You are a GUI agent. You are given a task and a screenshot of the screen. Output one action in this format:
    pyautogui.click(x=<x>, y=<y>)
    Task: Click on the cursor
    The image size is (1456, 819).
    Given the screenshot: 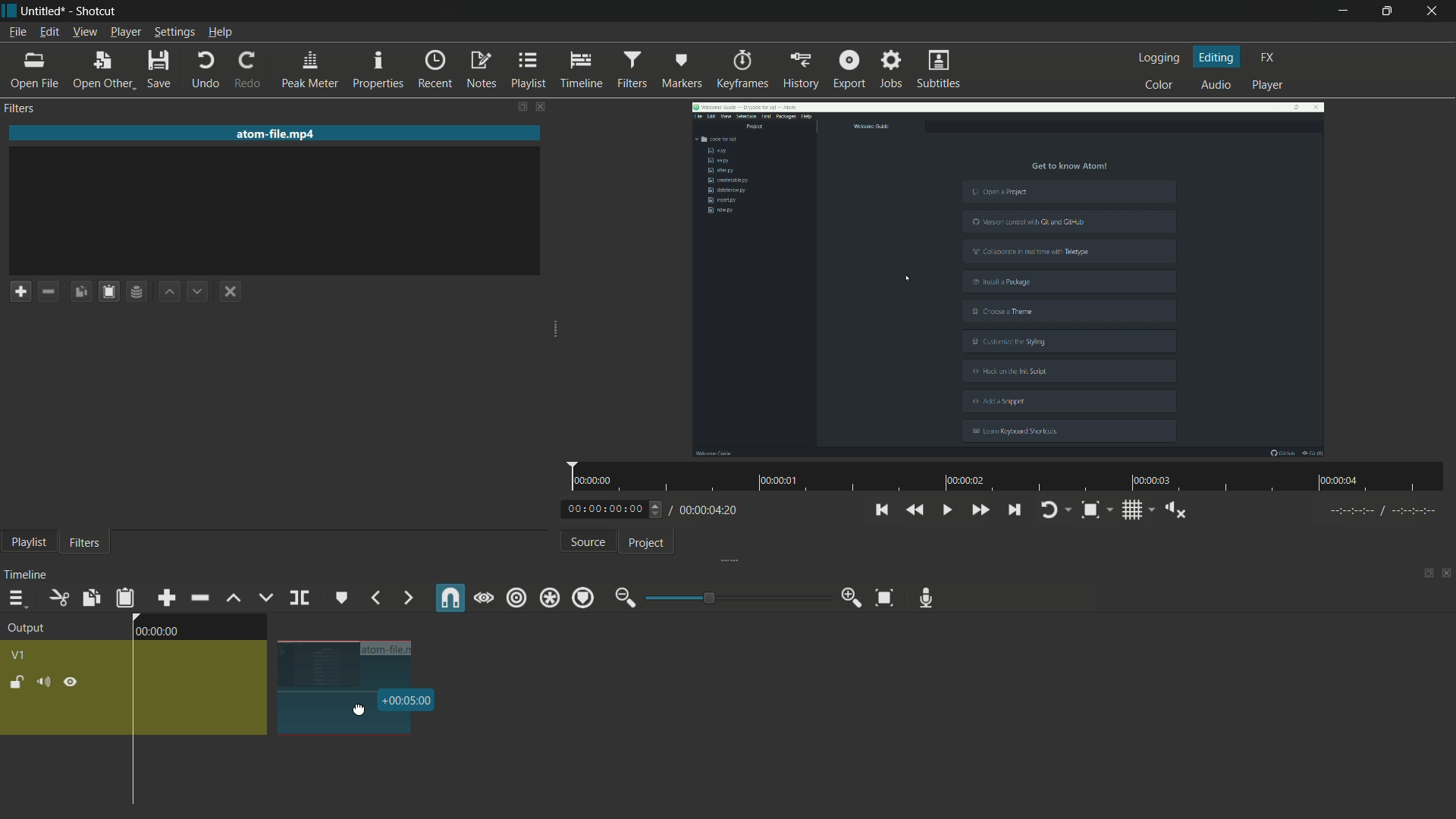 What is the action you would take?
    pyautogui.click(x=360, y=711)
    